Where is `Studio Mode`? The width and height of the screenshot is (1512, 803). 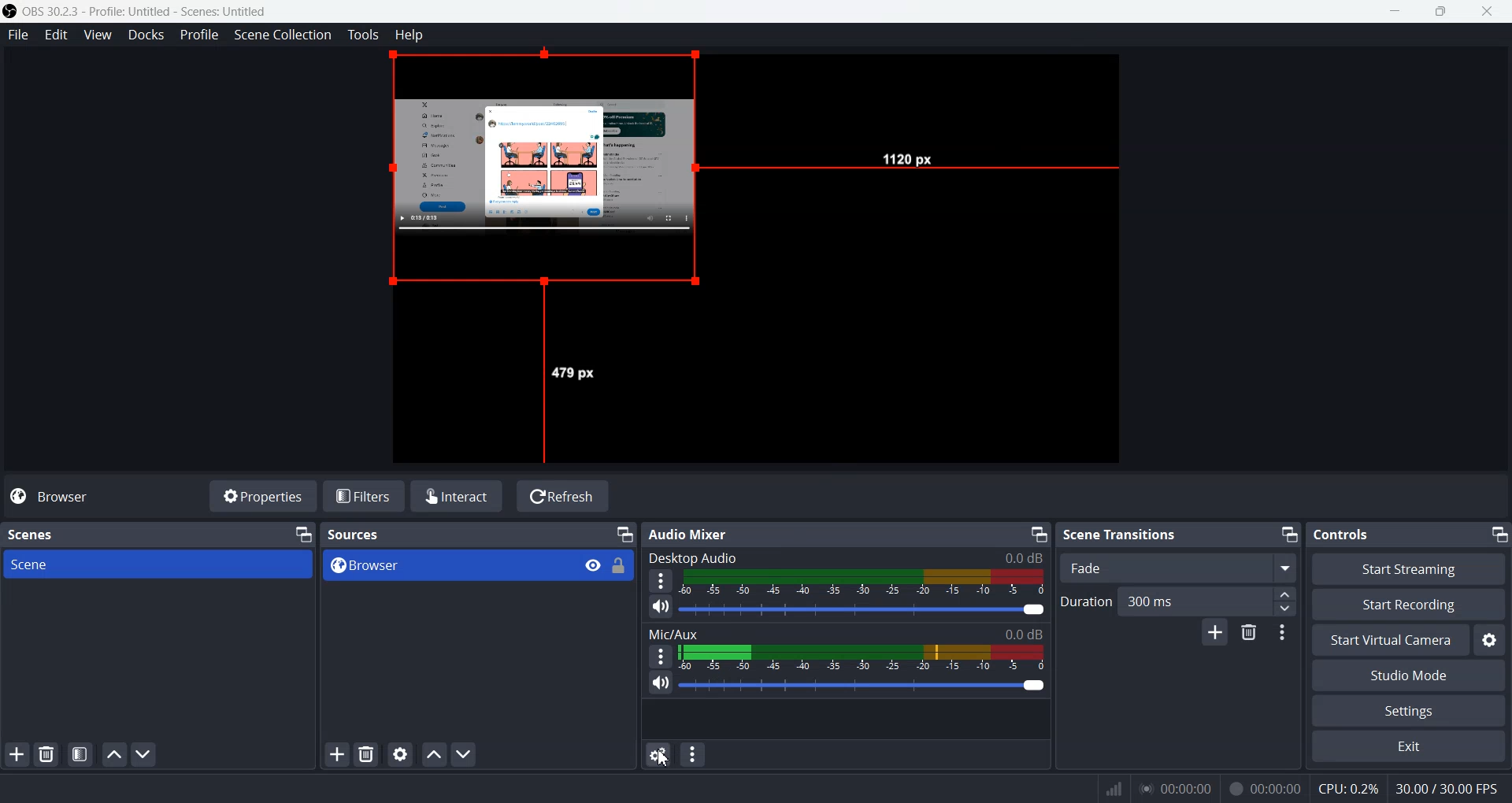 Studio Mode is located at coordinates (1408, 676).